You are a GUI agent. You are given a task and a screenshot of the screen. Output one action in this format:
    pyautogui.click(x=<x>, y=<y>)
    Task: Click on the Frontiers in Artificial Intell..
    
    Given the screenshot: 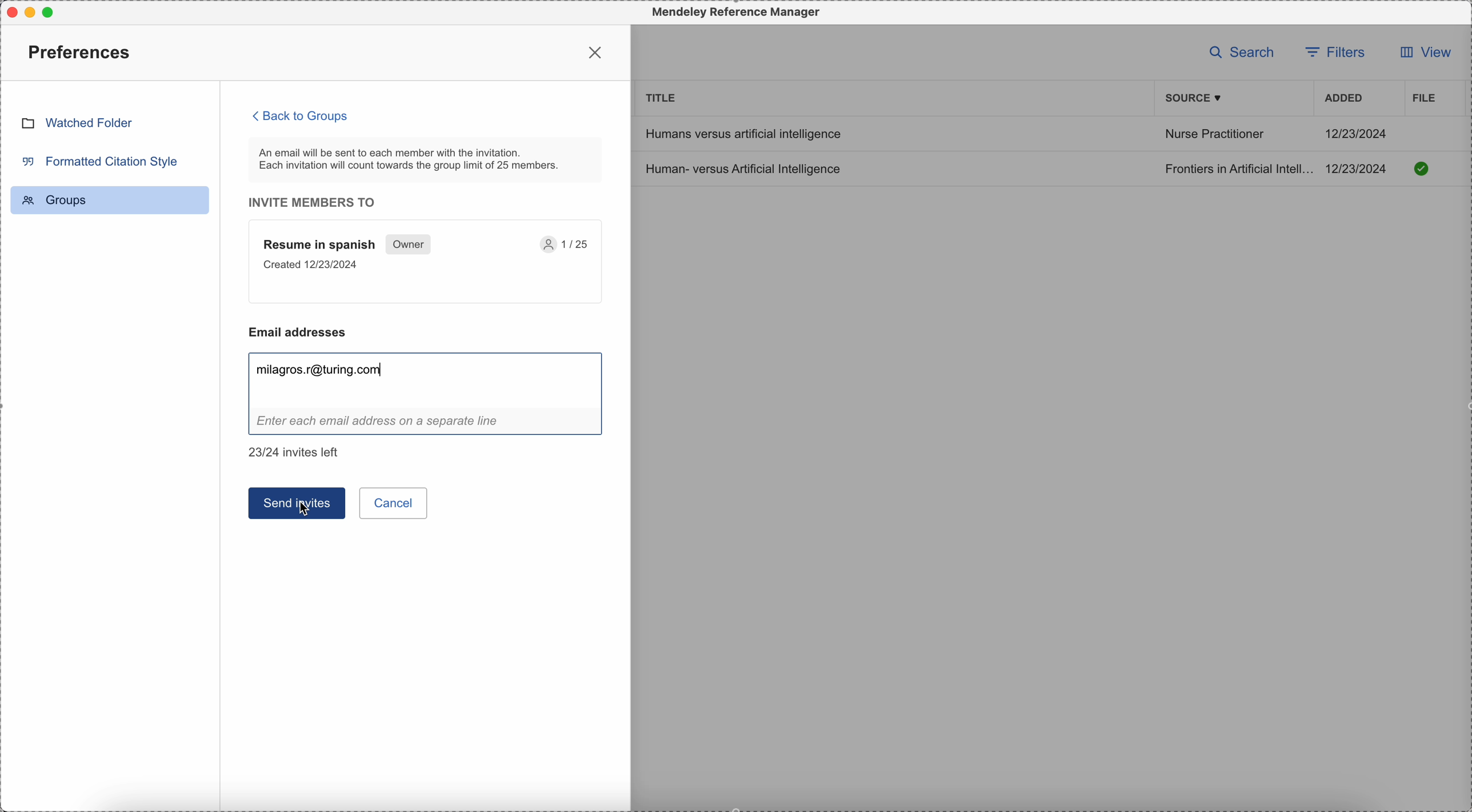 What is the action you would take?
    pyautogui.click(x=1237, y=168)
    